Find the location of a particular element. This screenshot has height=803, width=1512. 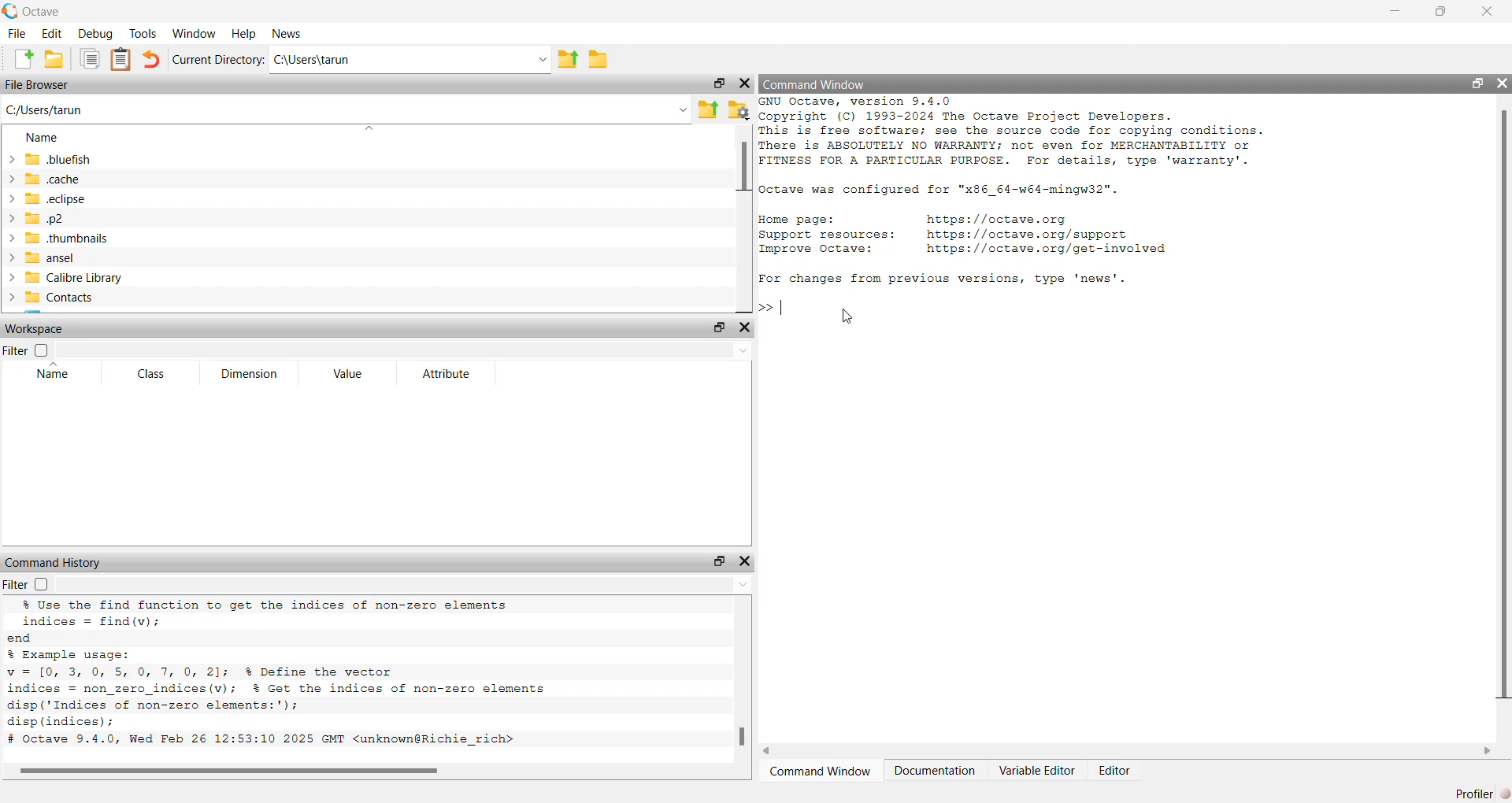

Calibre Library is located at coordinates (69, 279).